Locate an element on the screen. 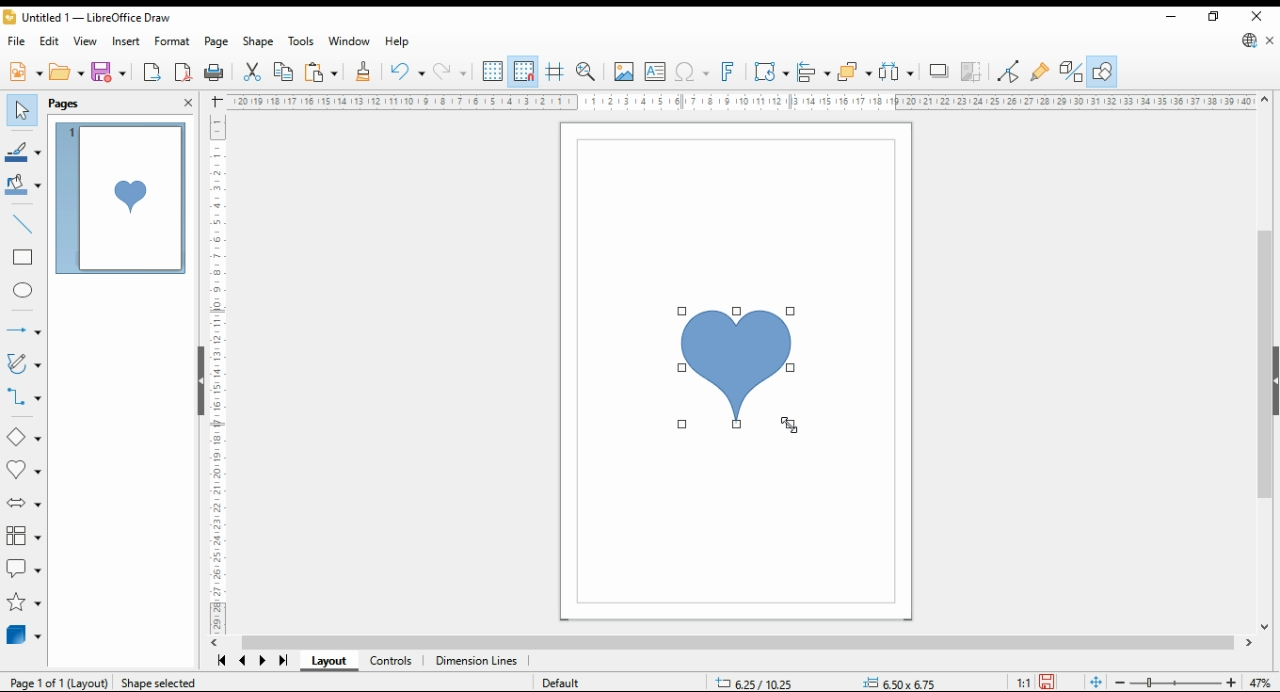 The height and width of the screenshot is (692, 1280). scroll bar is located at coordinates (735, 643).